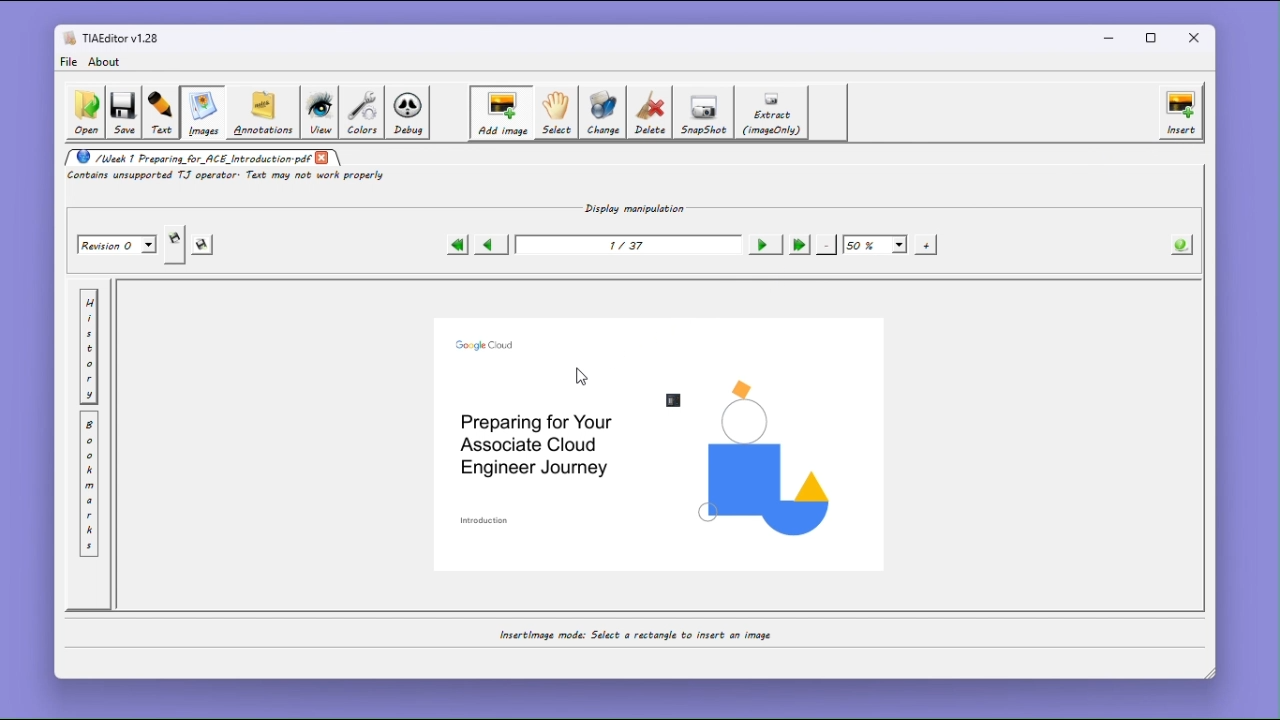  What do you see at coordinates (68, 62) in the screenshot?
I see `file` at bounding box center [68, 62].